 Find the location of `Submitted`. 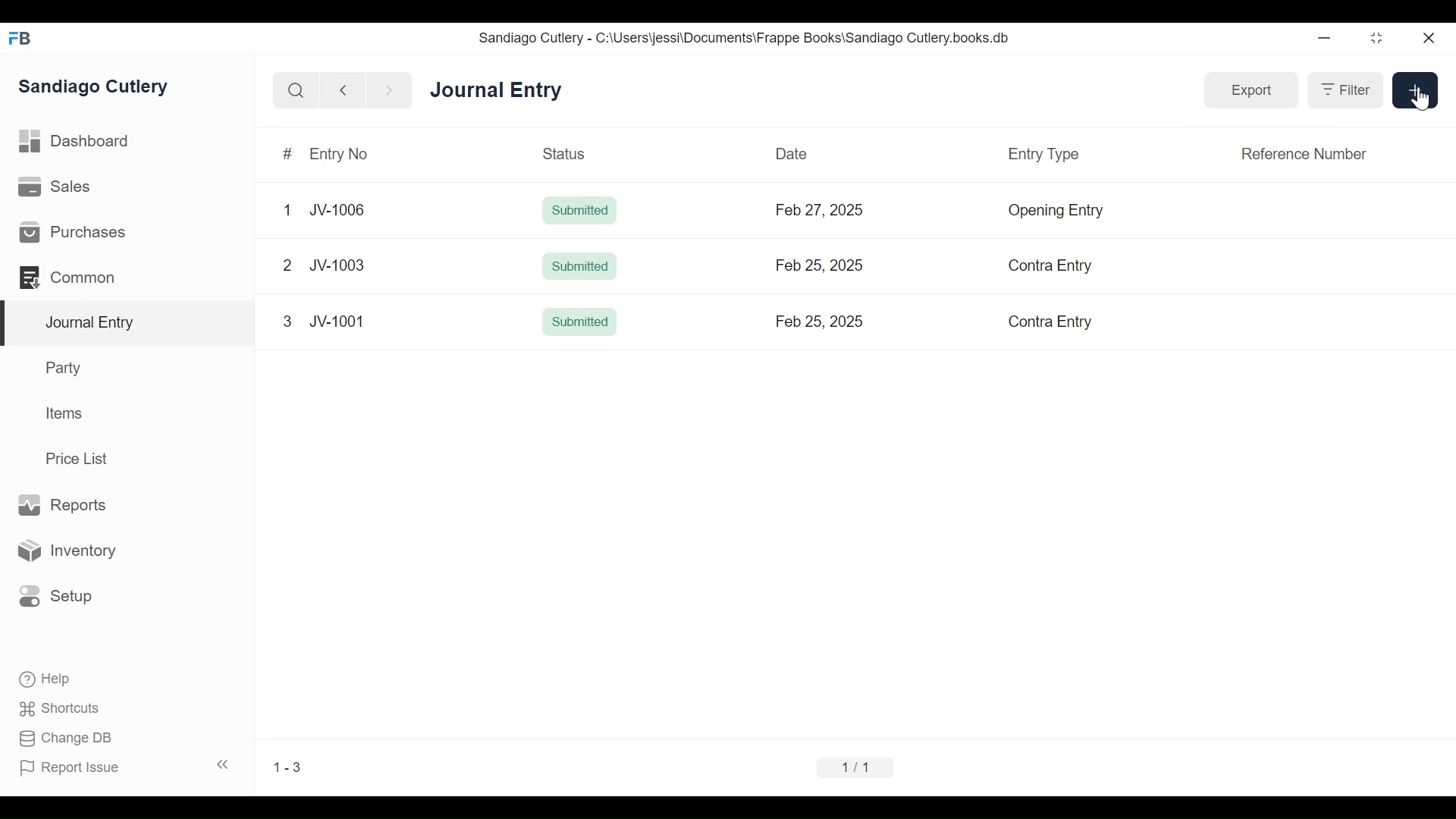

Submitted is located at coordinates (581, 209).